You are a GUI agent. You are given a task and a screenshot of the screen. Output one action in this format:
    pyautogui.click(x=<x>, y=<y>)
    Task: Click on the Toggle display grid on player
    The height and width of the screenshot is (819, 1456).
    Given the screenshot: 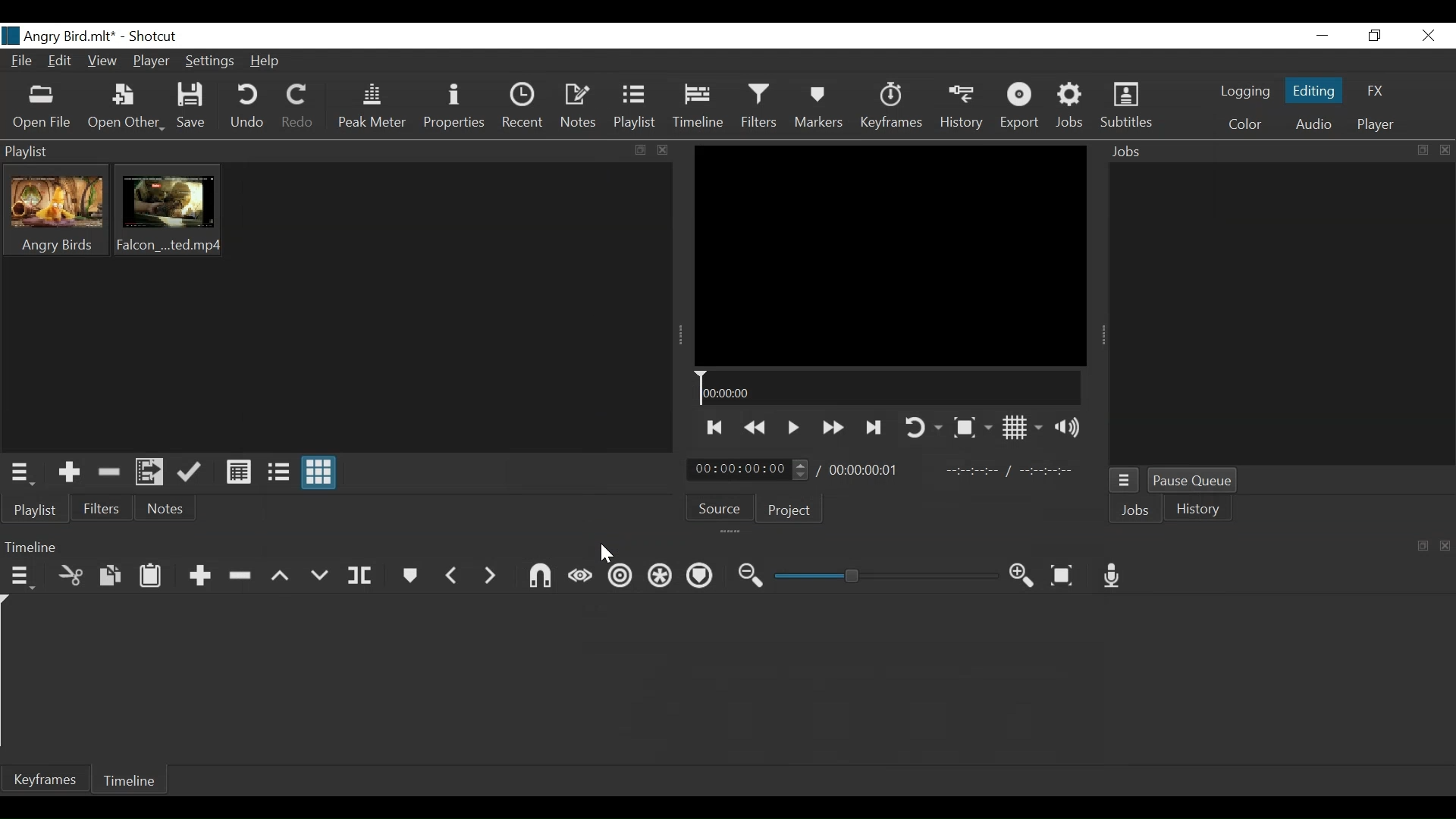 What is the action you would take?
    pyautogui.click(x=1025, y=428)
    